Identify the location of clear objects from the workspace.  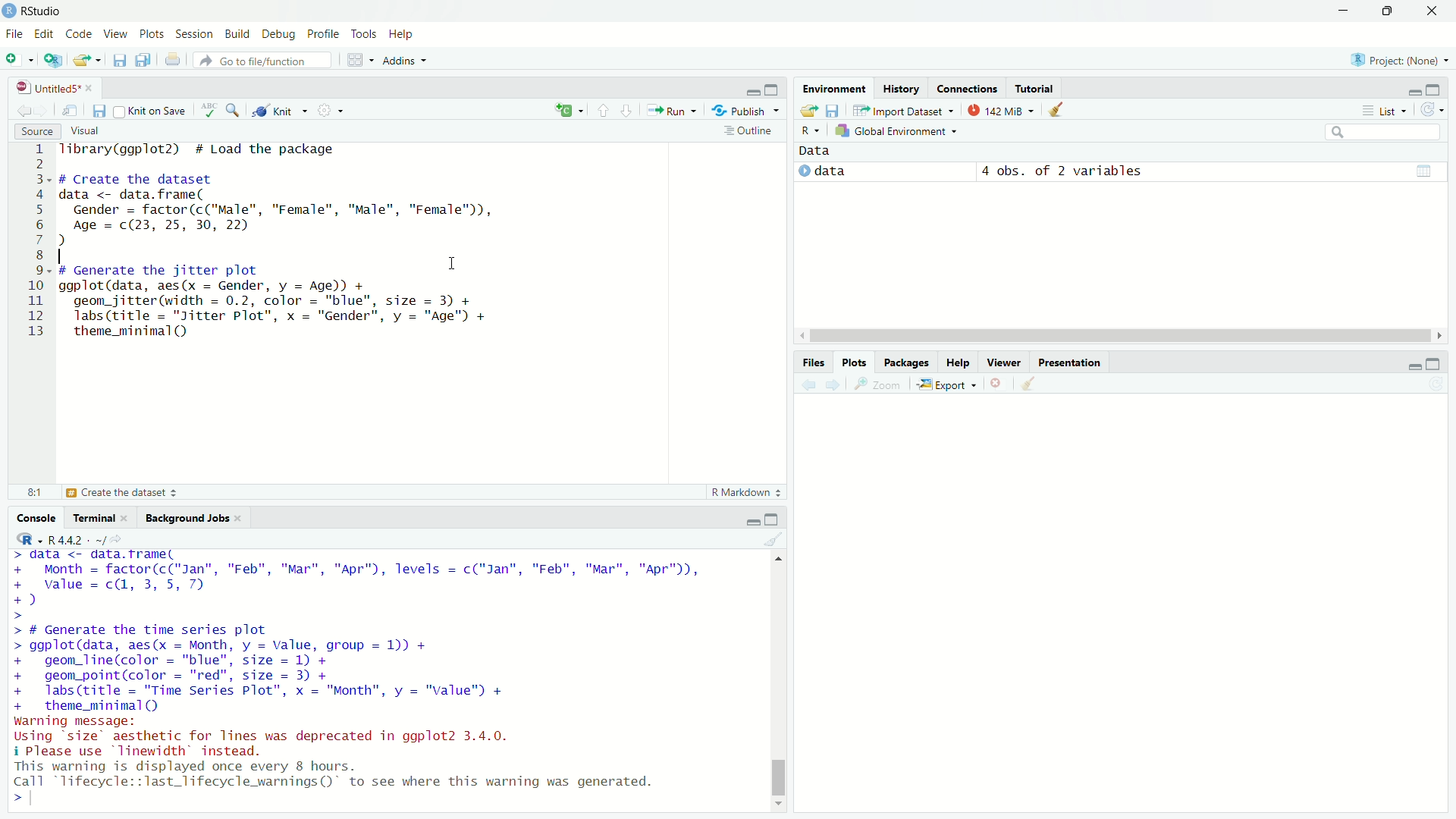
(1062, 110).